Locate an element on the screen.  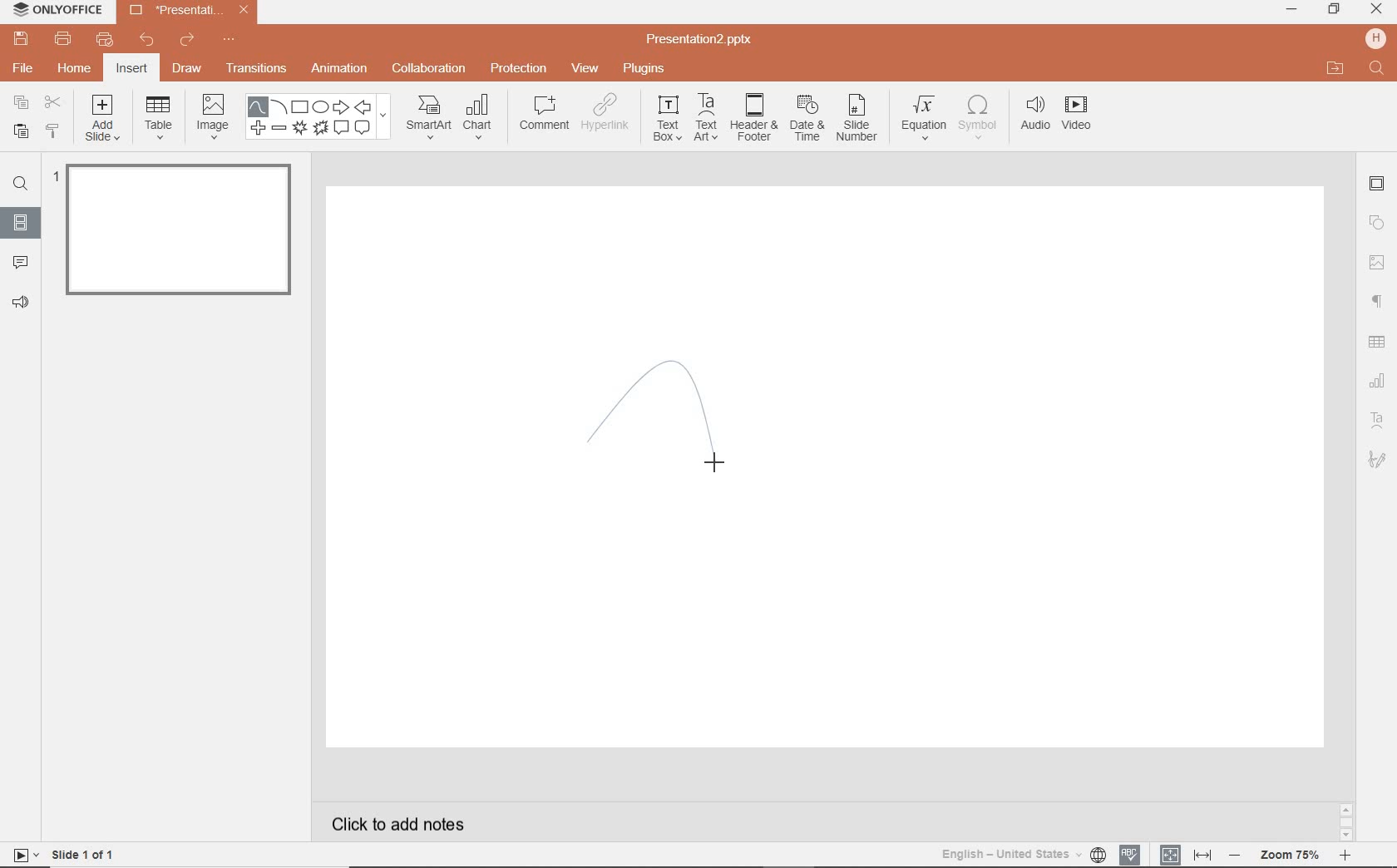
FEEDBACK & SUPPORT is located at coordinates (20, 303).